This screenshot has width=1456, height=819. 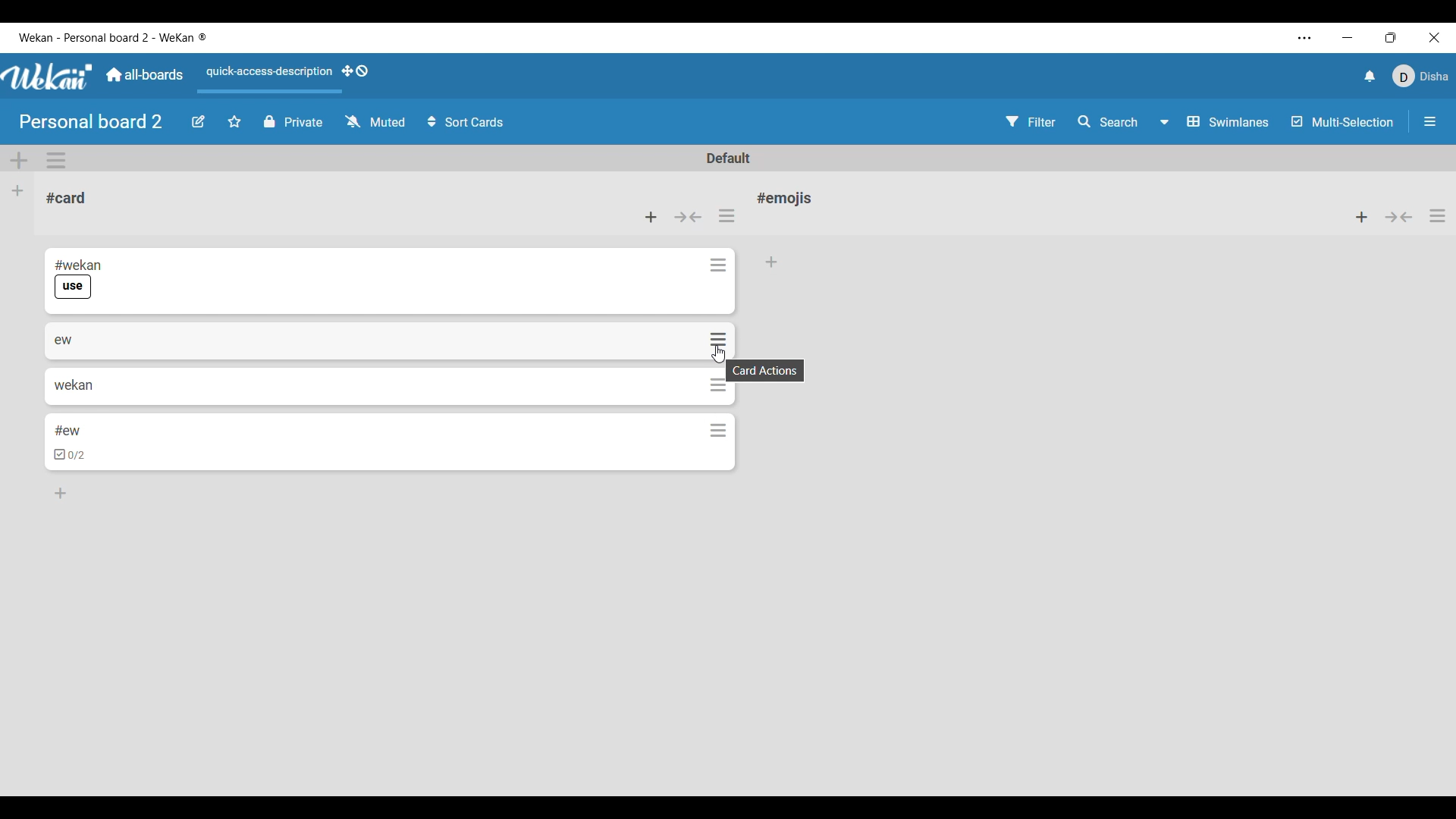 What do you see at coordinates (1347, 38) in the screenshot?
I see `Minimize` at bounding box center [1347, 38].